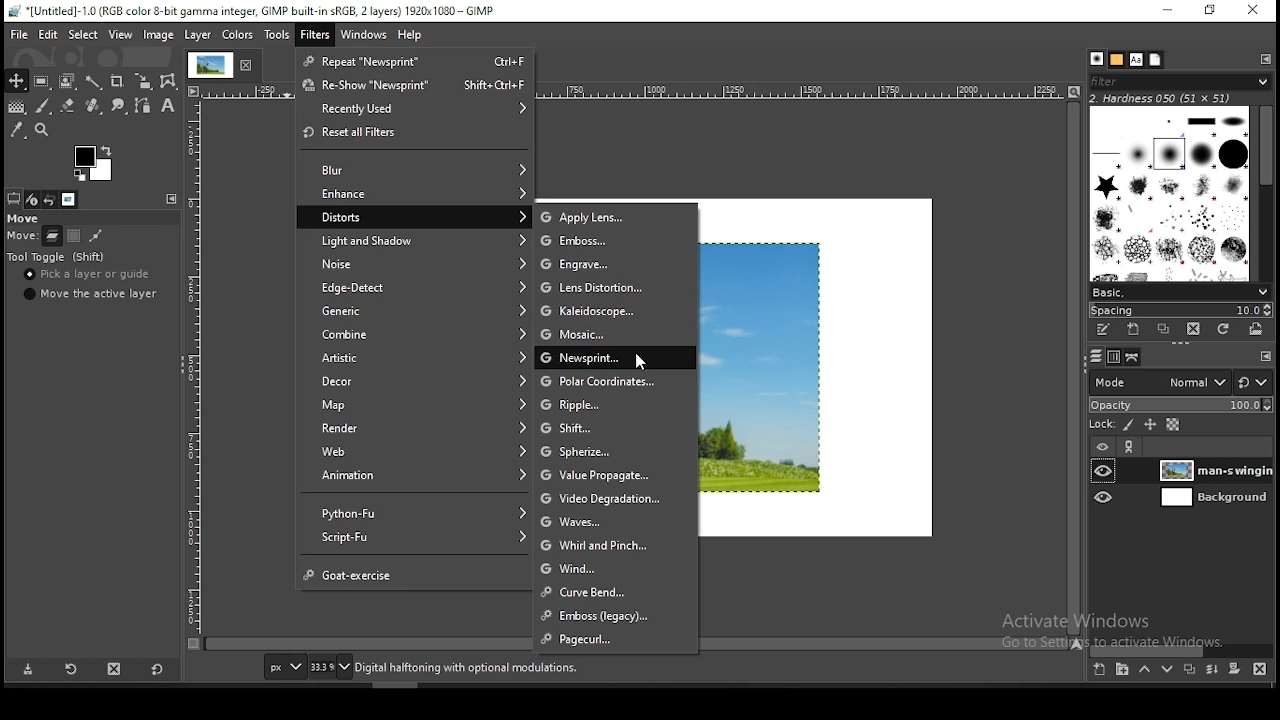 This screenshot has height=720, width=1280. I want to click on blur, so click(413, 167).